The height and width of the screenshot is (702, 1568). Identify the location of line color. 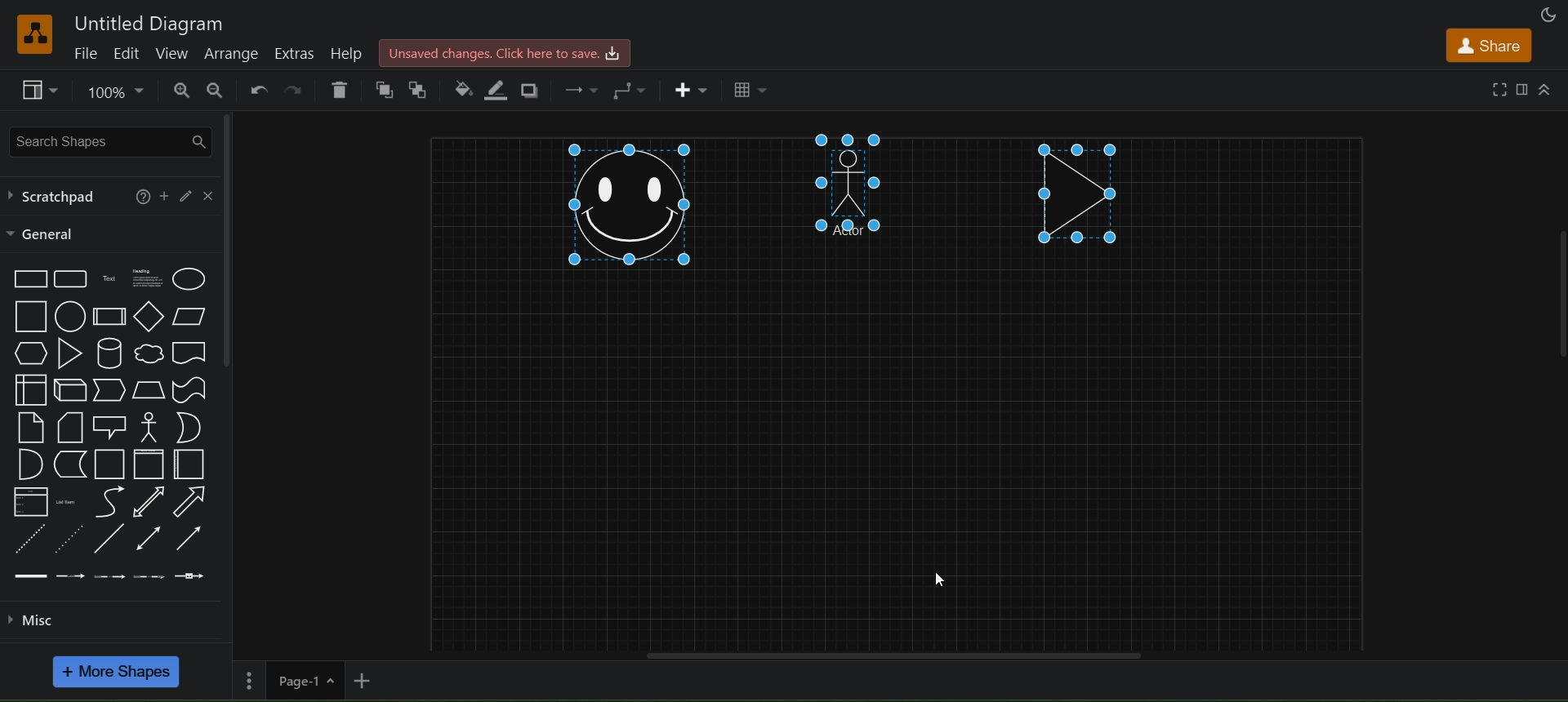
(501, 91).